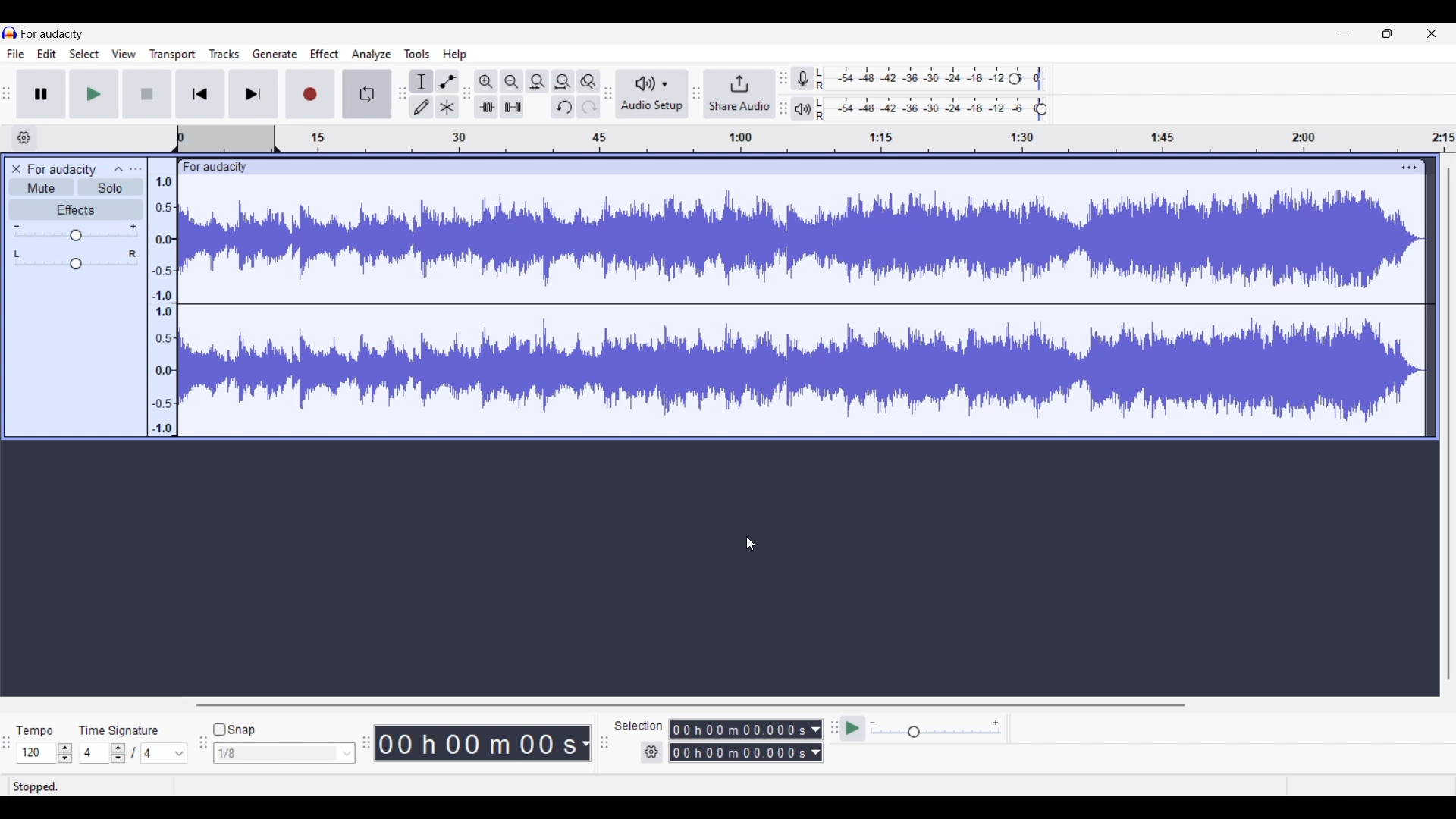 The height and width of the screenshot is (819, 1456). I want to click on Envelop tool, so click(447, 81).